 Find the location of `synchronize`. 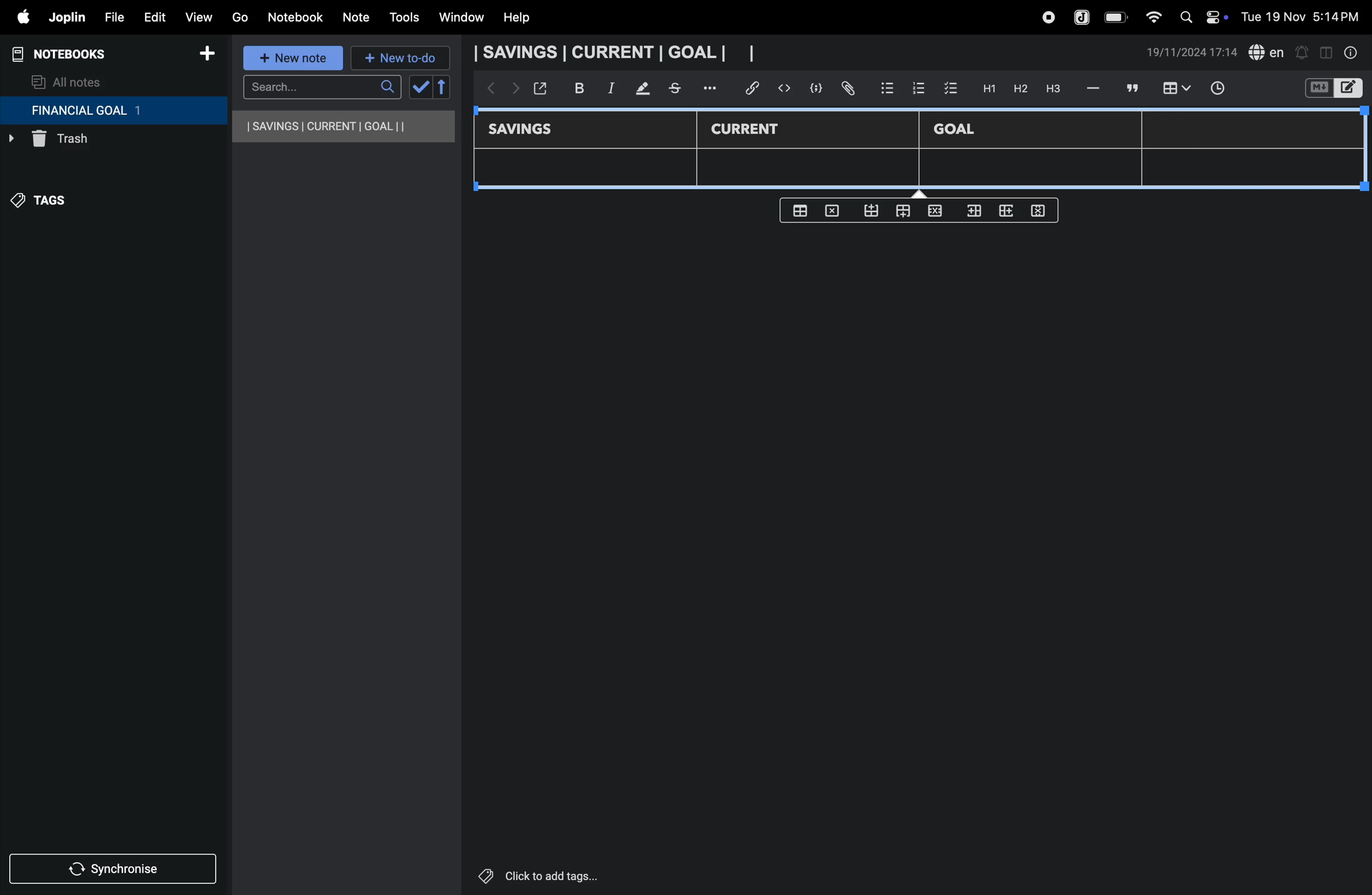

synchronize is located at coordinates (114, 867).